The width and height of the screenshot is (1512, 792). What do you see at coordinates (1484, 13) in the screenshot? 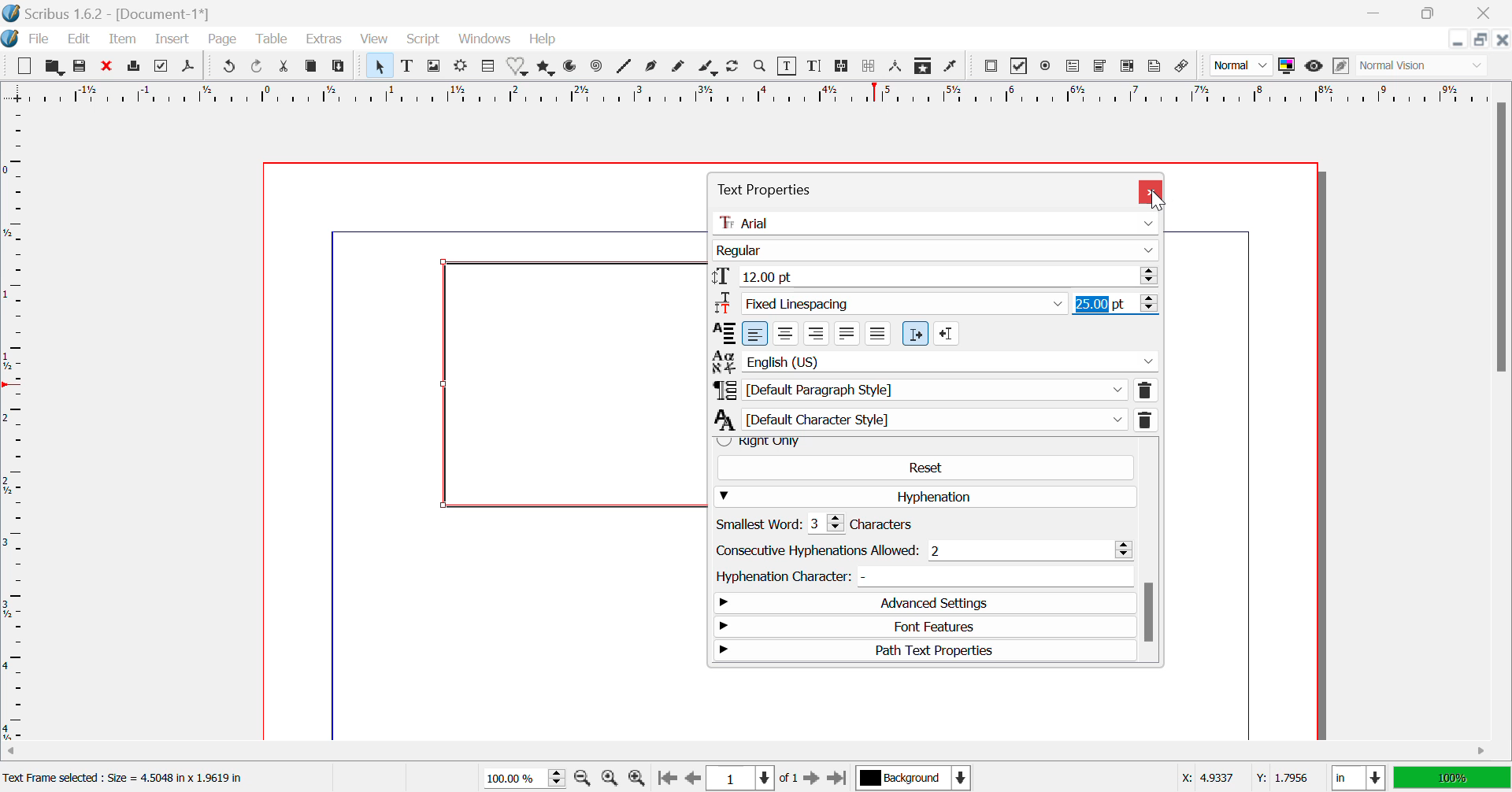
I see `Close` at bounding box center [1484, 13].